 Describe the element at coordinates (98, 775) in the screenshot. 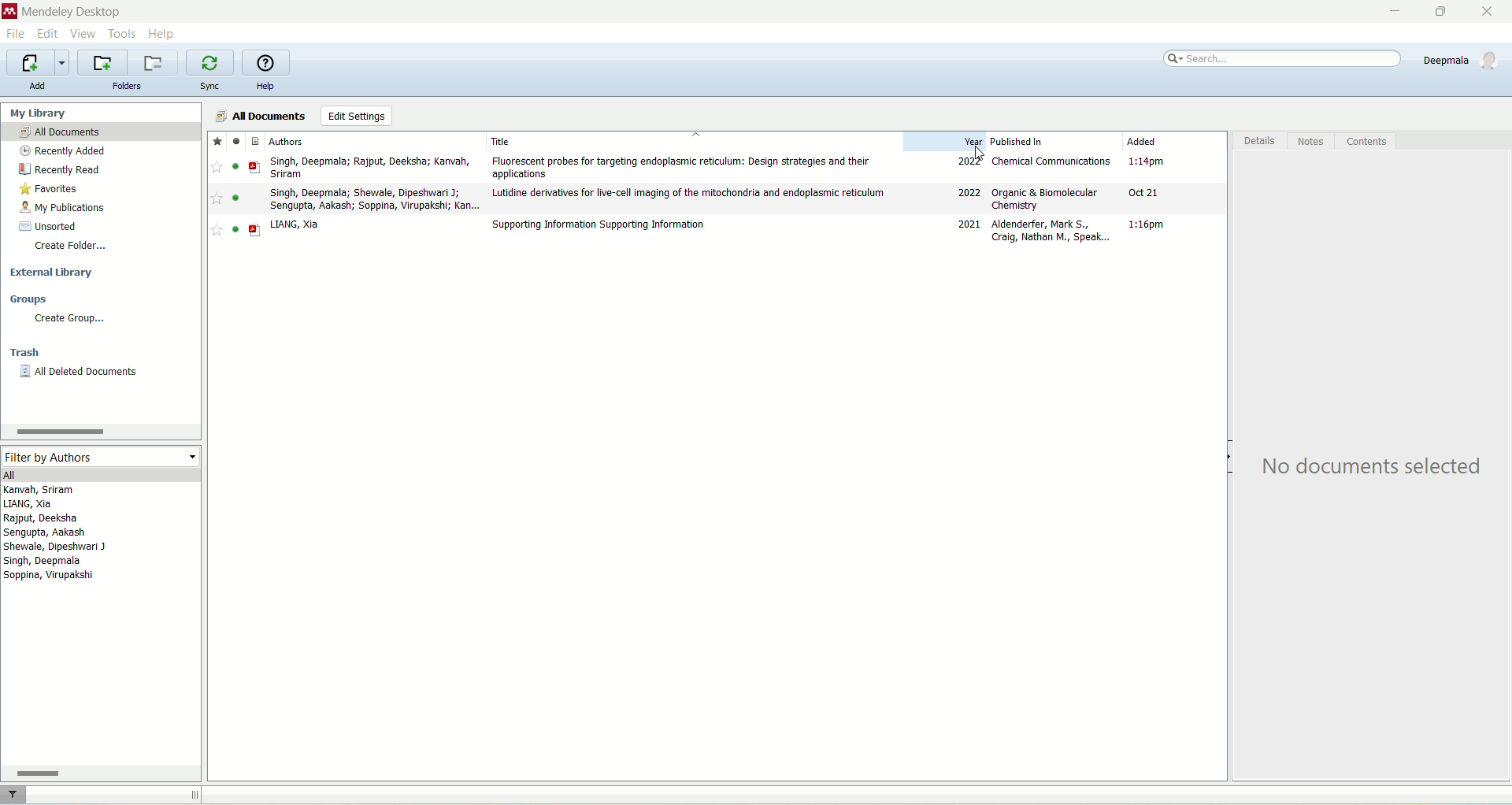

I see `scroll bar` at that location.